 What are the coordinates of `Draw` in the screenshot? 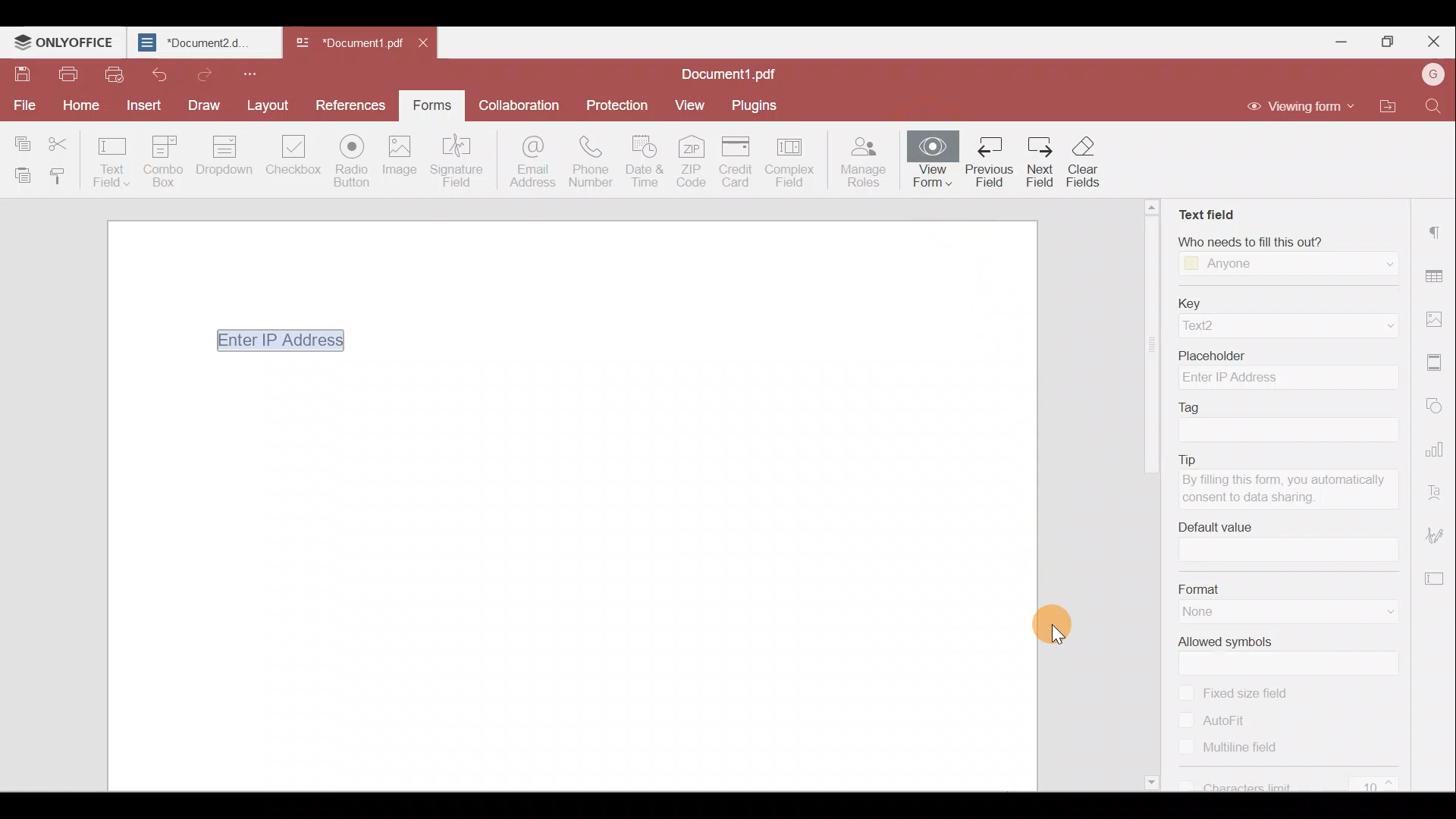 It's located at (199, 105).